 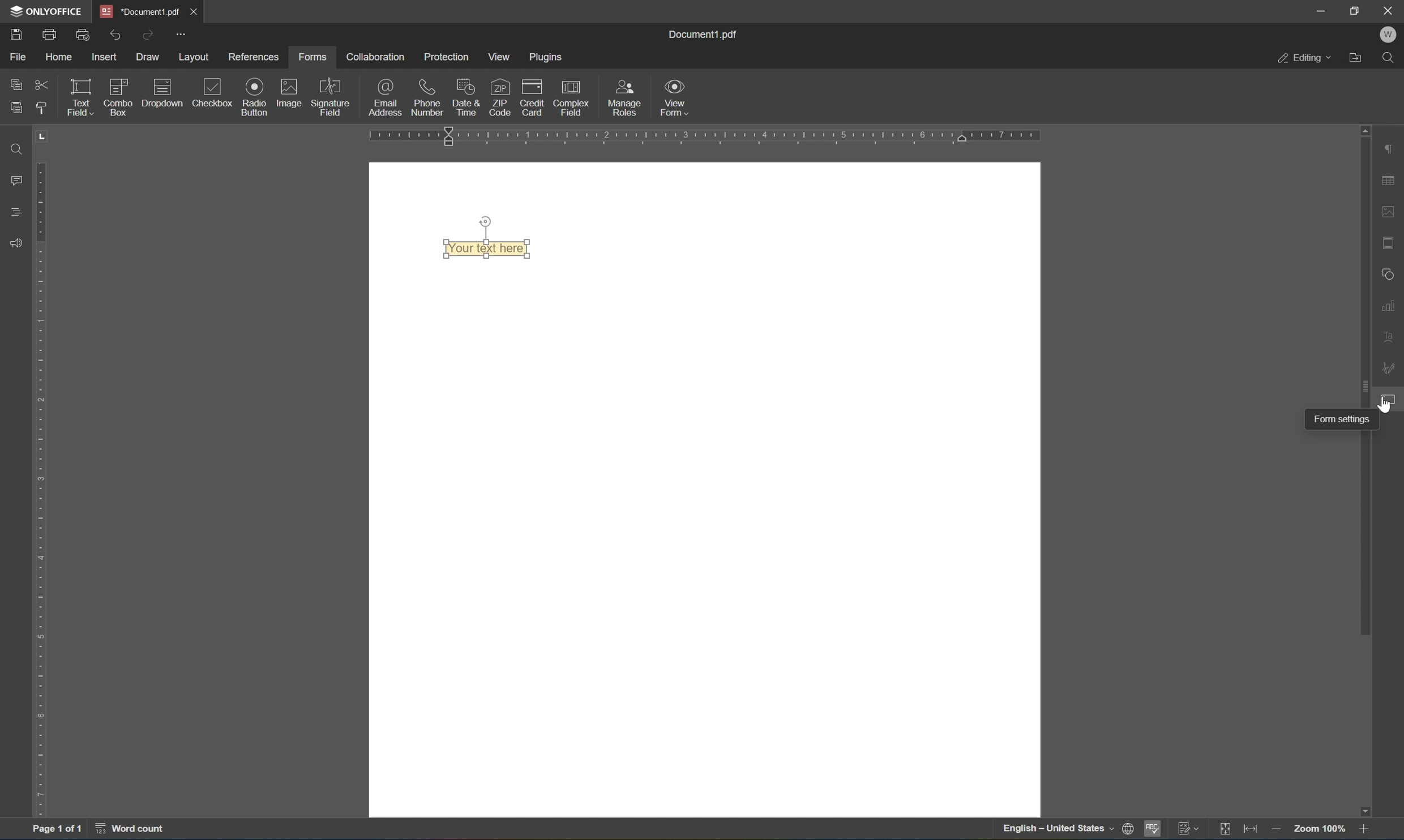 I want to click on text field, so click(x=79, y=96).